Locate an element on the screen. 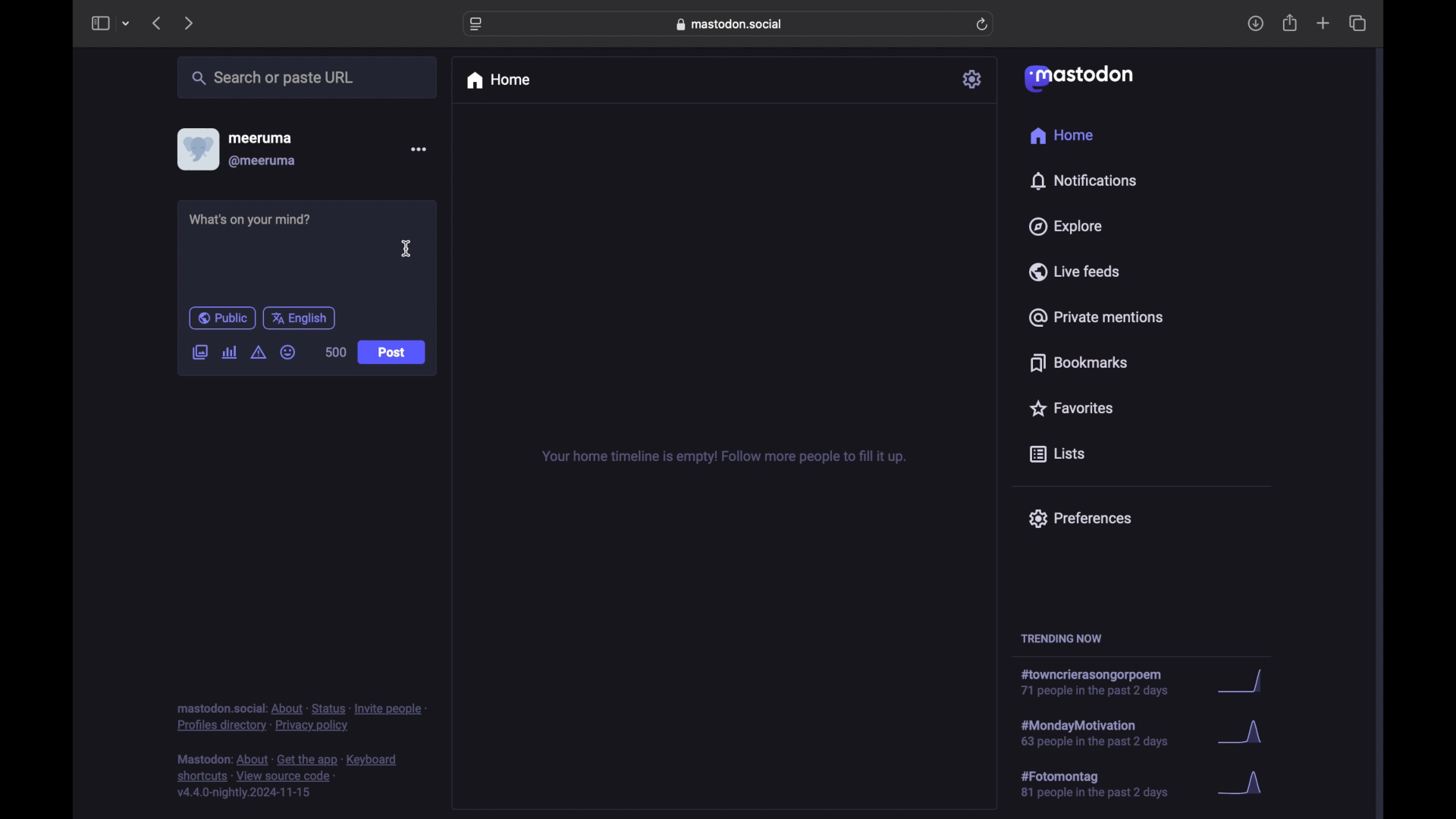 This screenshot has height=819, width=1456. lists is located at coordinates (1057, 455).